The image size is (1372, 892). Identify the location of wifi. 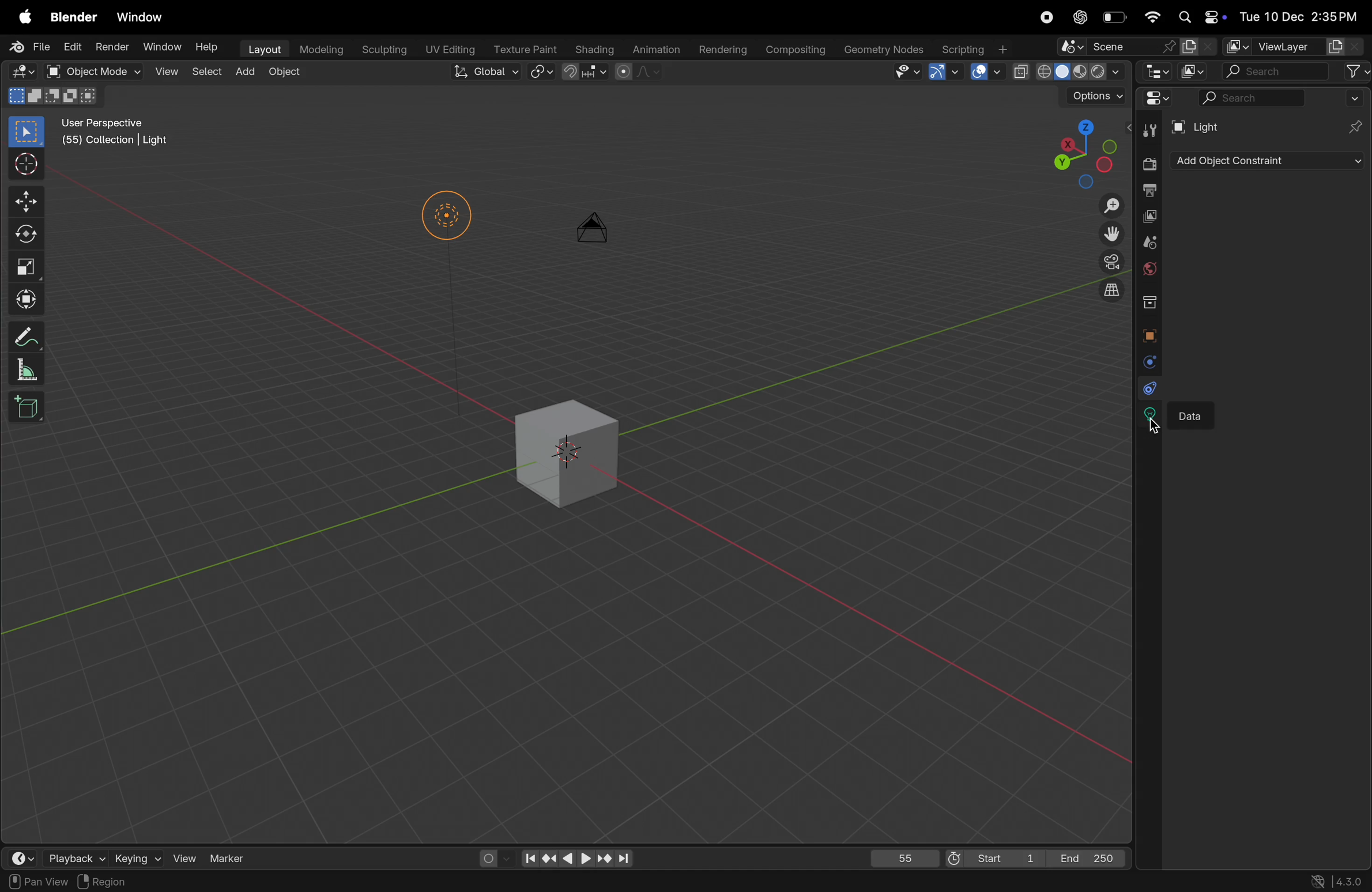
(1149, 16).